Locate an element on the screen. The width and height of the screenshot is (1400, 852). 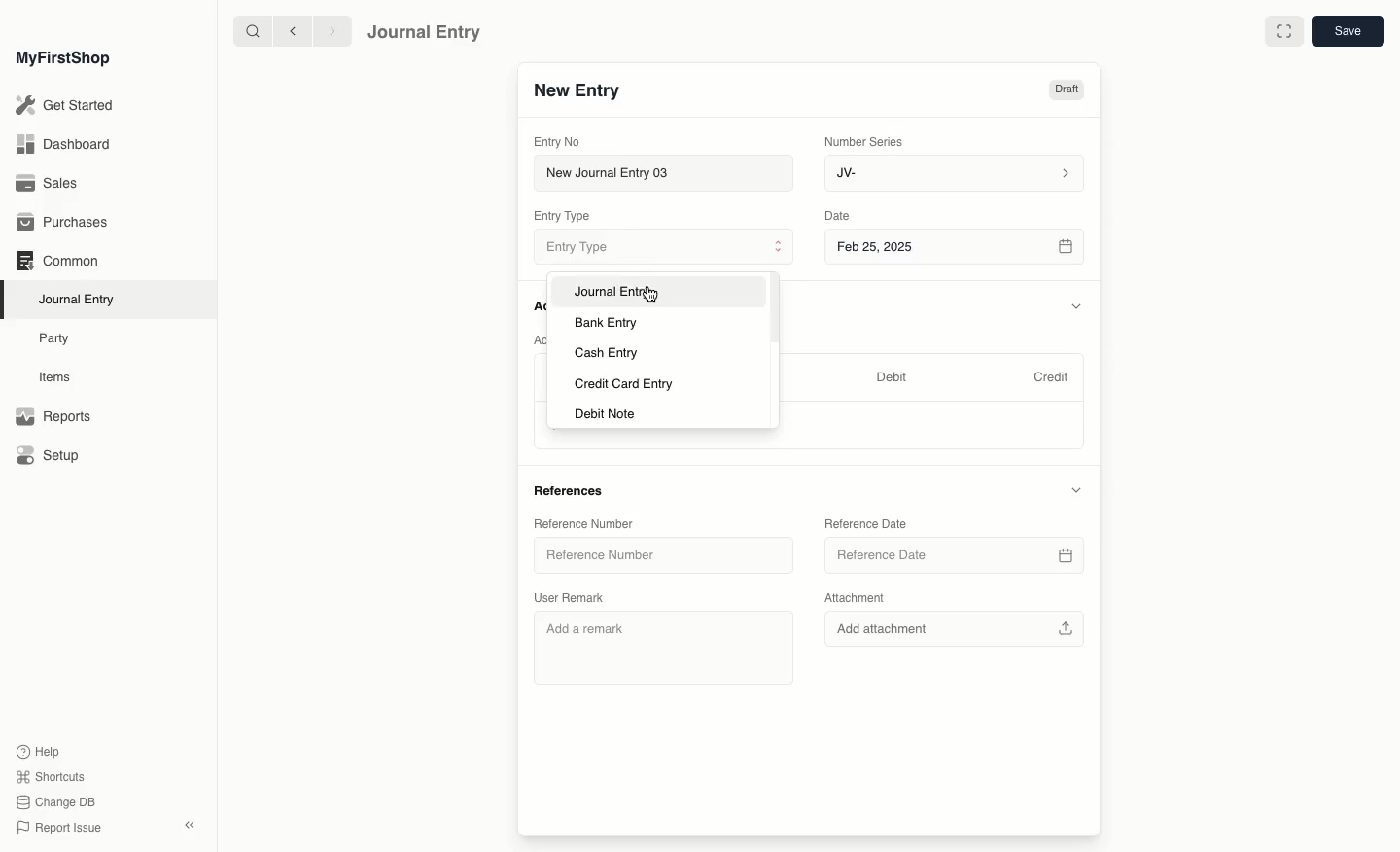
Full width toggle is located at coordinates (1282, 32).